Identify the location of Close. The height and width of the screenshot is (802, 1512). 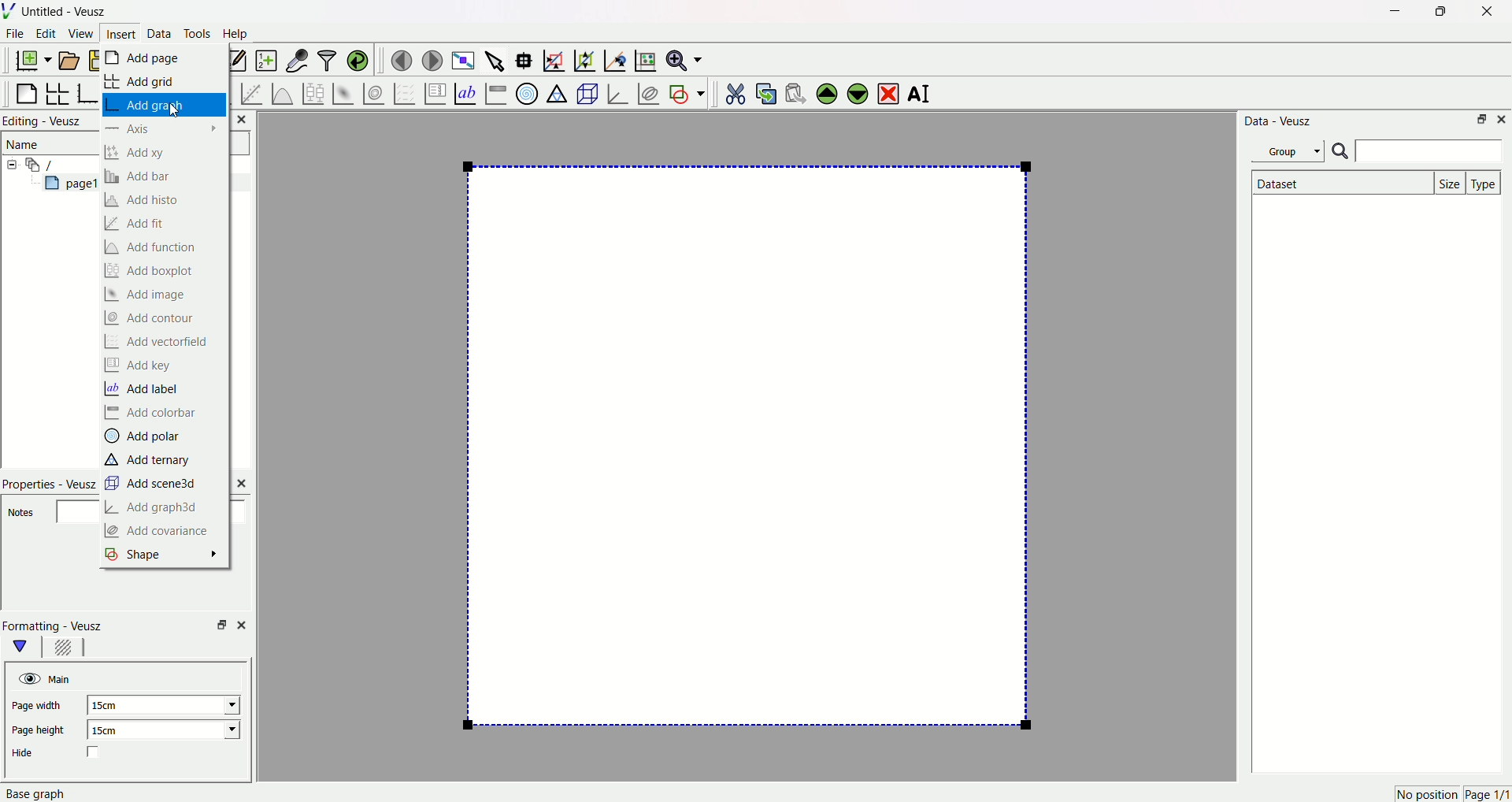
(1503, 120).